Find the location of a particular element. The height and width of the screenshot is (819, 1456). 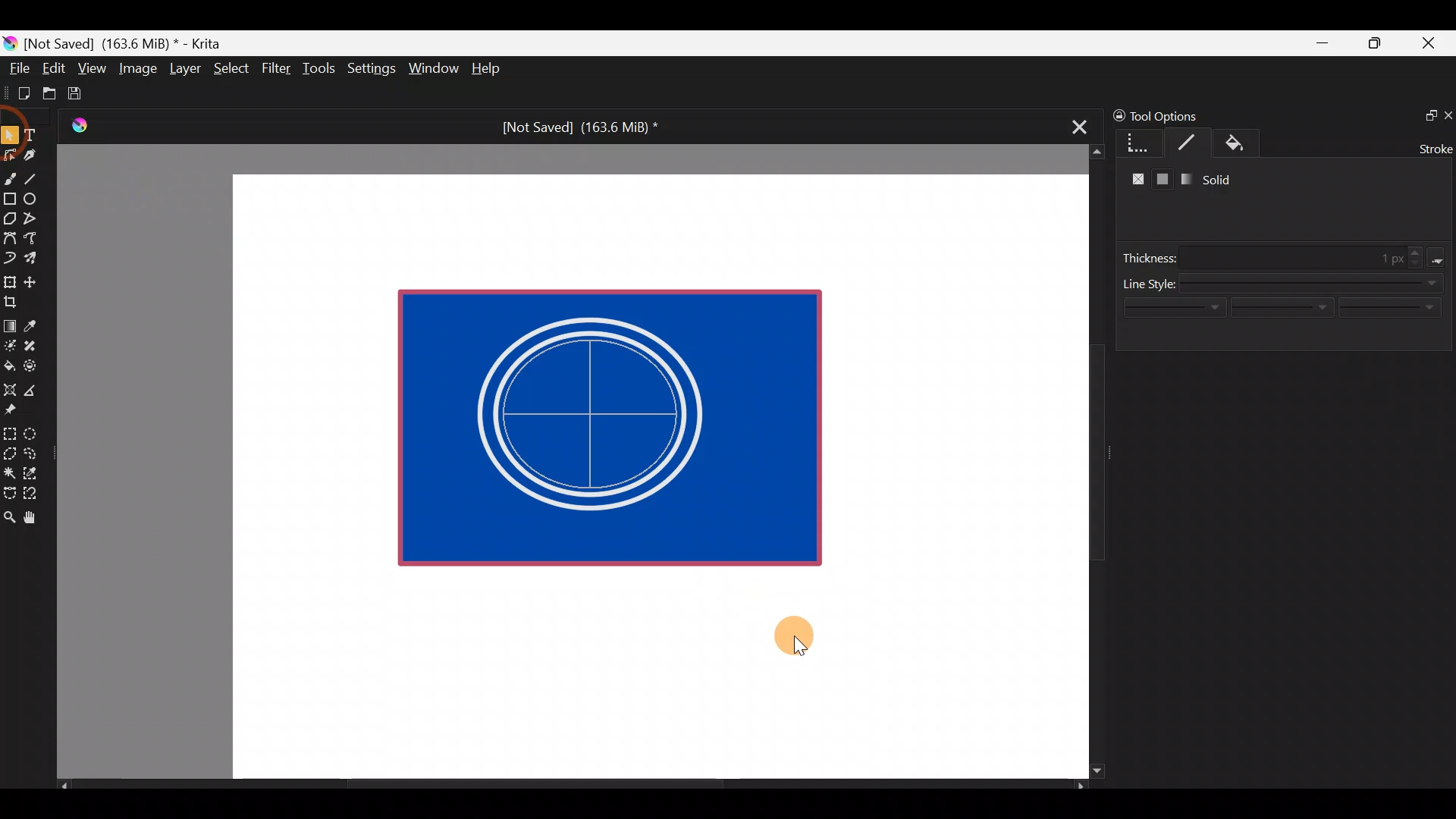

[Not Saved] (163.6 MiB) * - Krita is located at coordinates (130, 42).